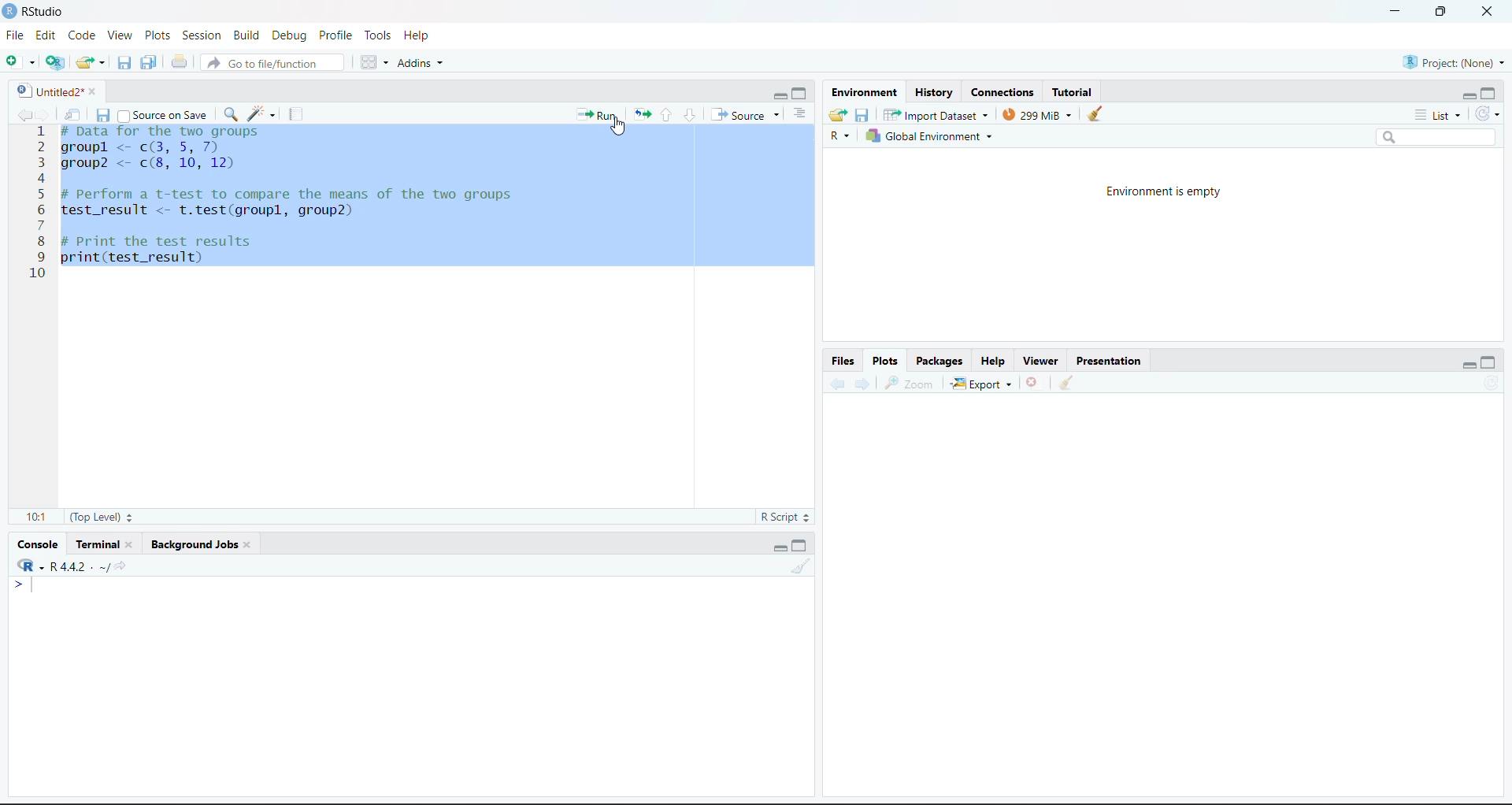 This screenshot has height=805, width=1512. What do you see at coordinates (1435, 137) in the screenshot?
I see `search bar` at bounding box center [1435, 137].